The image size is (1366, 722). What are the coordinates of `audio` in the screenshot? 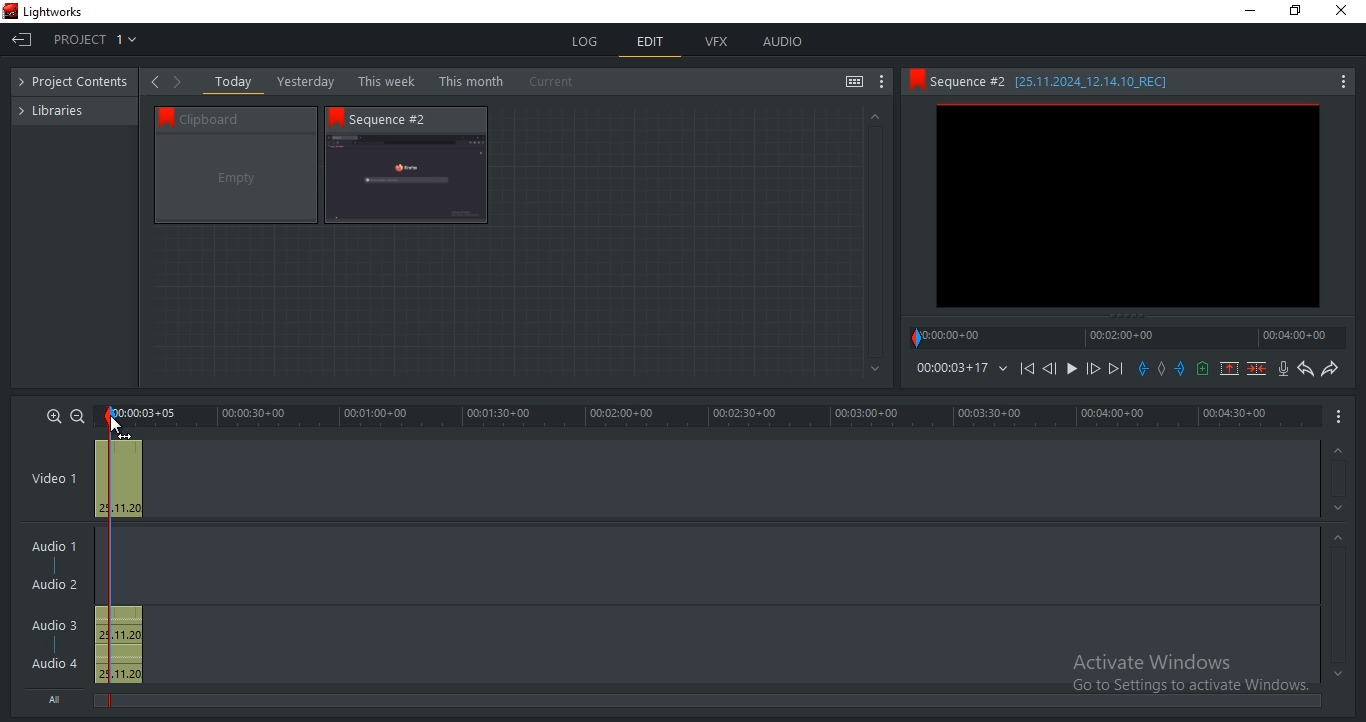 It's located at (782, 41).